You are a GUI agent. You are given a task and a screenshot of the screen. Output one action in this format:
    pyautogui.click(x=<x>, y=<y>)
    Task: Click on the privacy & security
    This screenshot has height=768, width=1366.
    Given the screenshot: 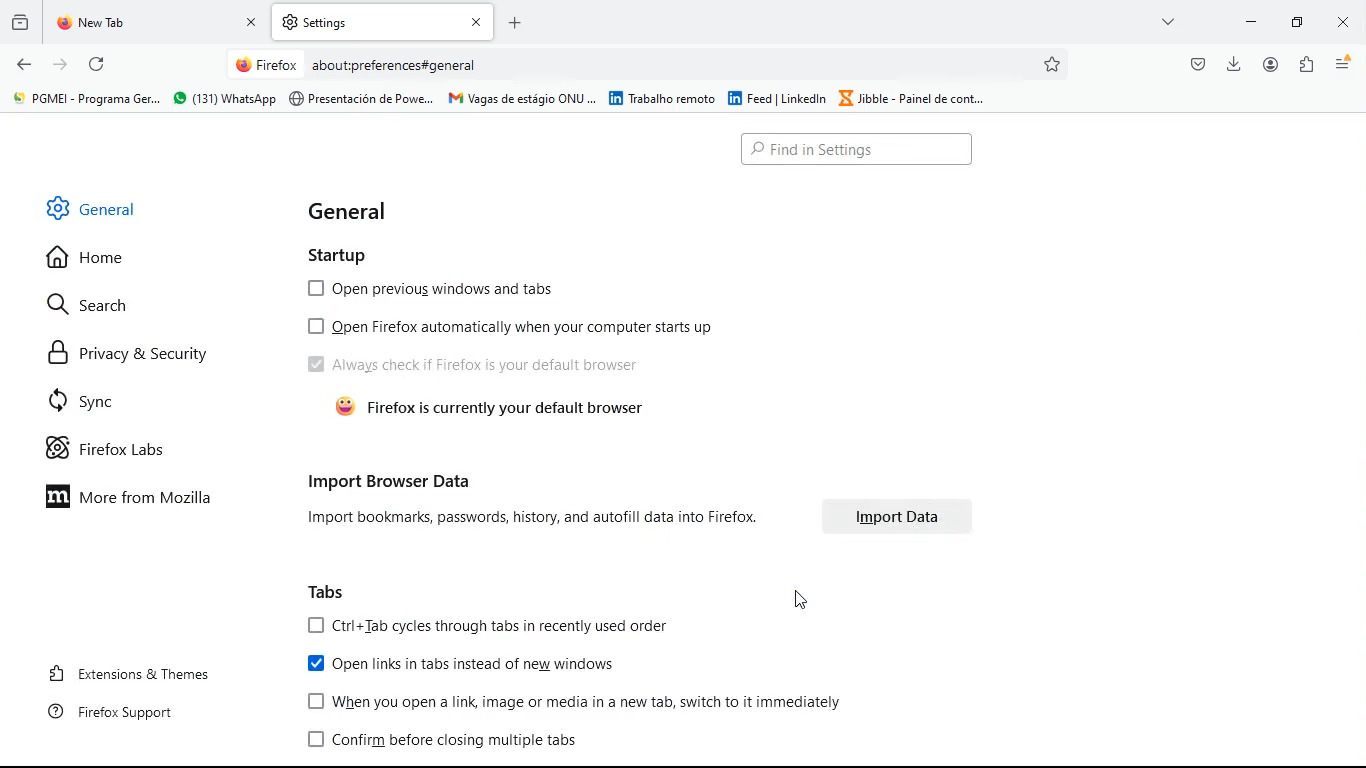 What is the action you would take?
    pyautogui.click(x=143, y=354)
    